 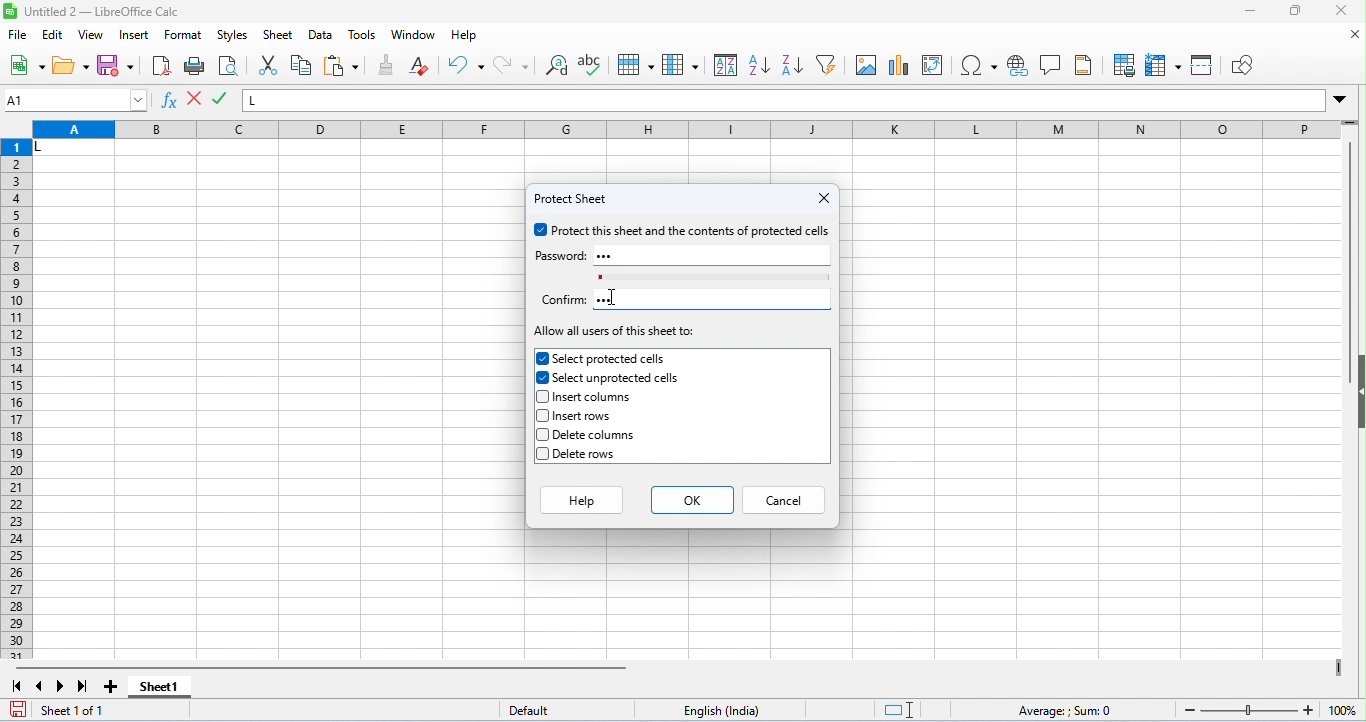 I want to click on sheet 1 of 1, so click(x=78, y=711).